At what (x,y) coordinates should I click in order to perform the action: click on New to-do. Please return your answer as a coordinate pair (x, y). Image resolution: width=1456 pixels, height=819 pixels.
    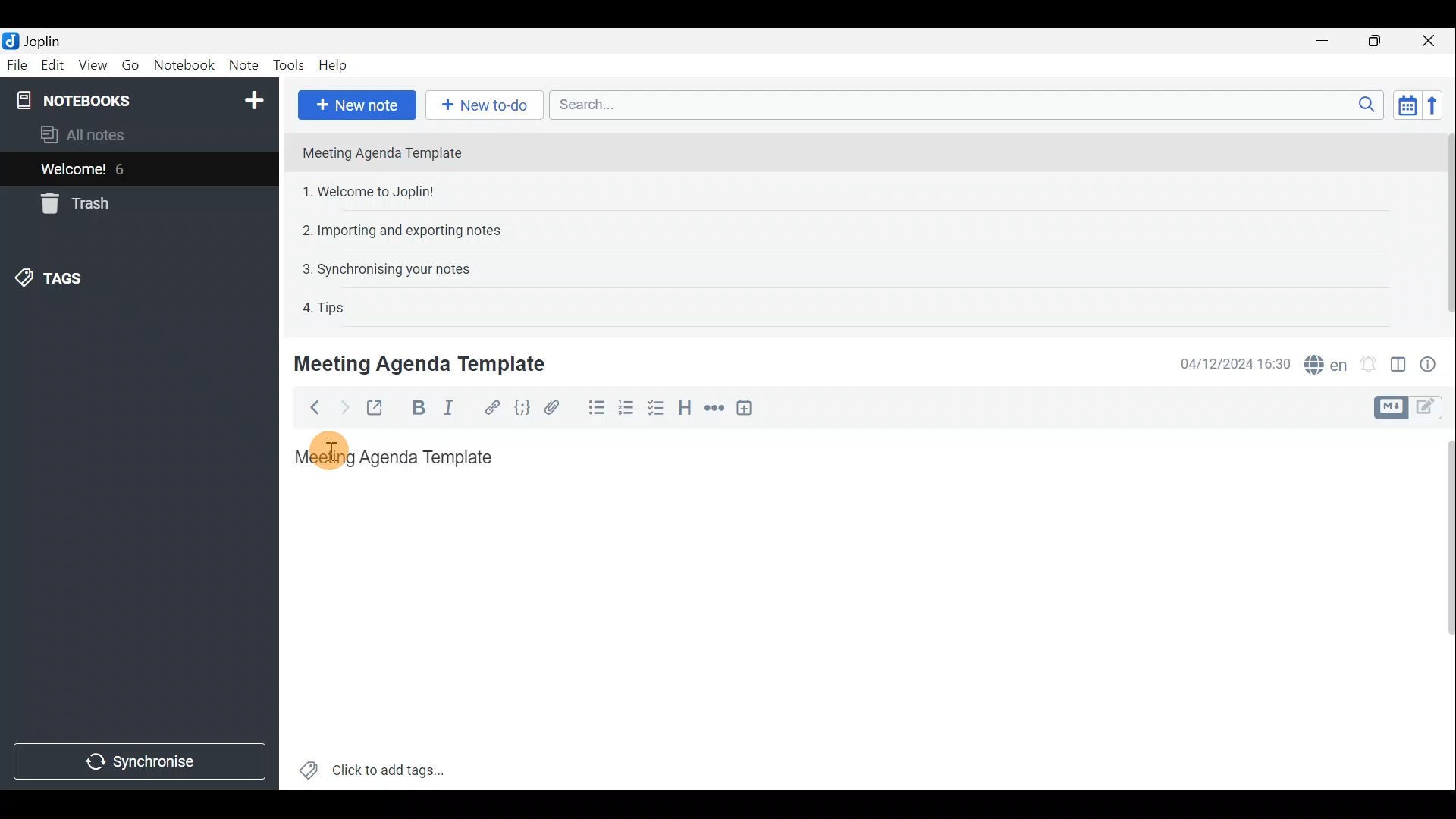
    Looking at the image, I should click on (477, 105).